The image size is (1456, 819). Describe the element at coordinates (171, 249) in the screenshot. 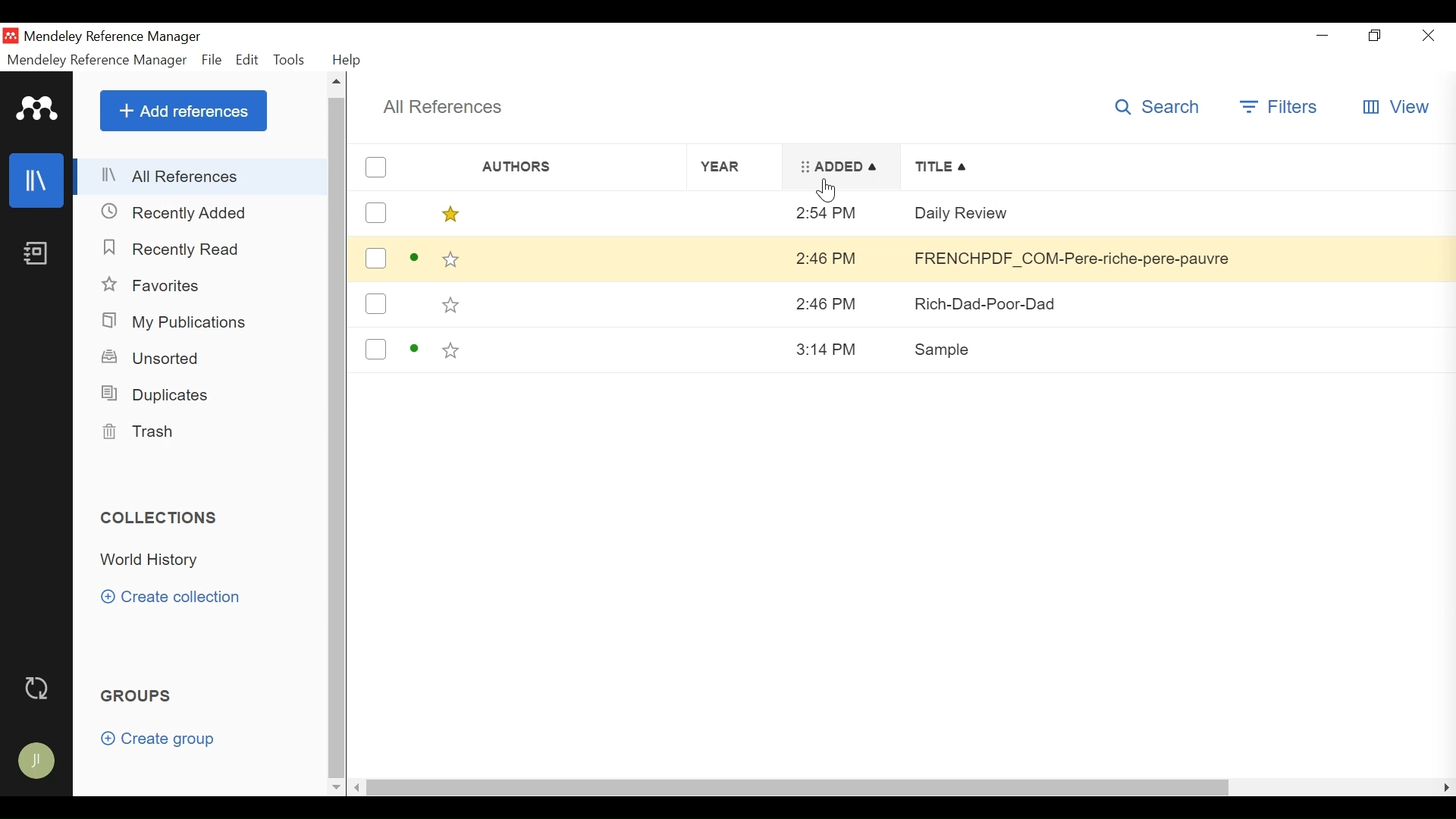

I see `Recently Read` at that location.